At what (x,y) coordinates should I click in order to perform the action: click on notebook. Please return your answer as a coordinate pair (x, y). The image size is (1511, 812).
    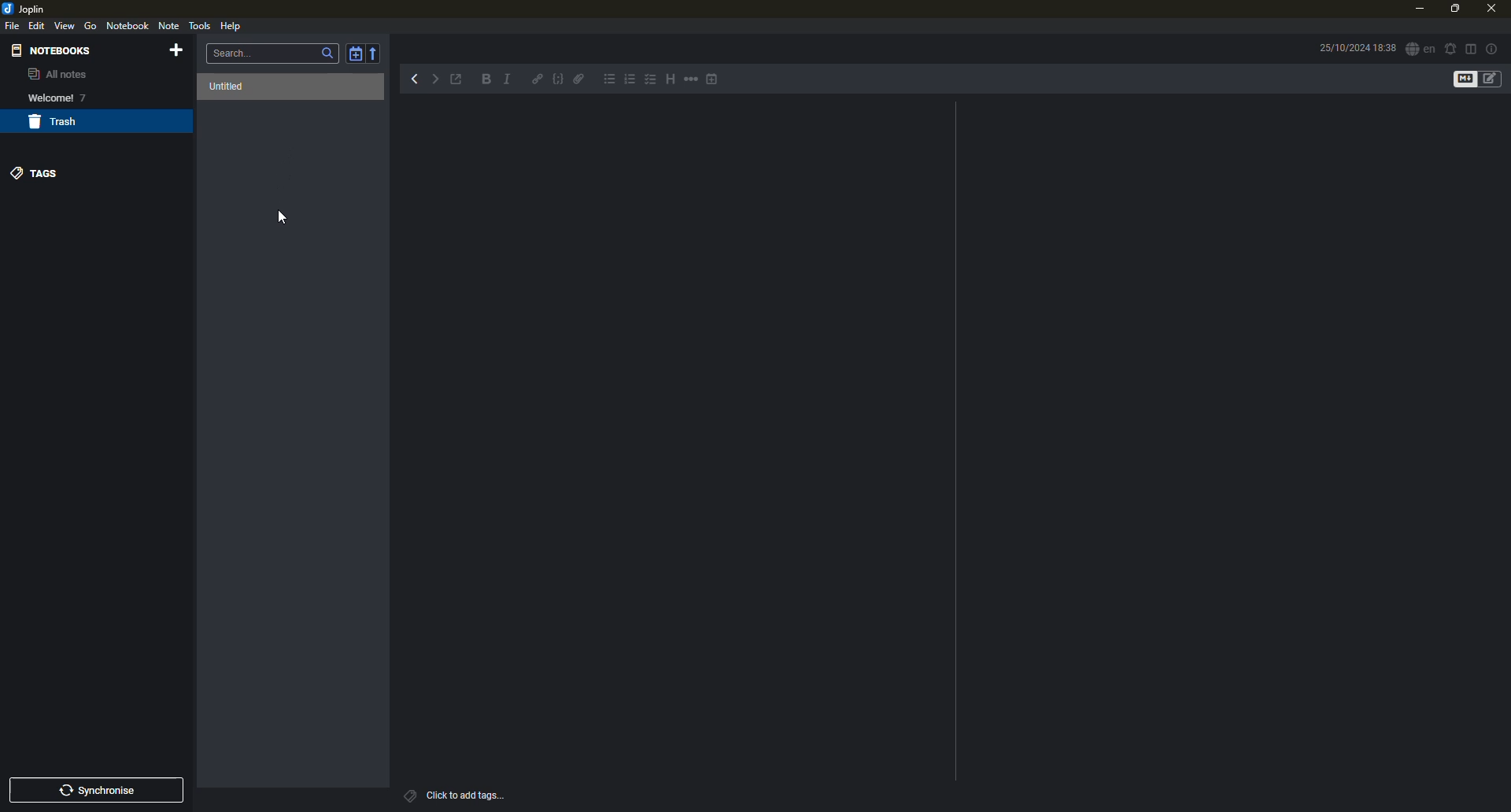
    Looking at the image, I should click on (128, 25).